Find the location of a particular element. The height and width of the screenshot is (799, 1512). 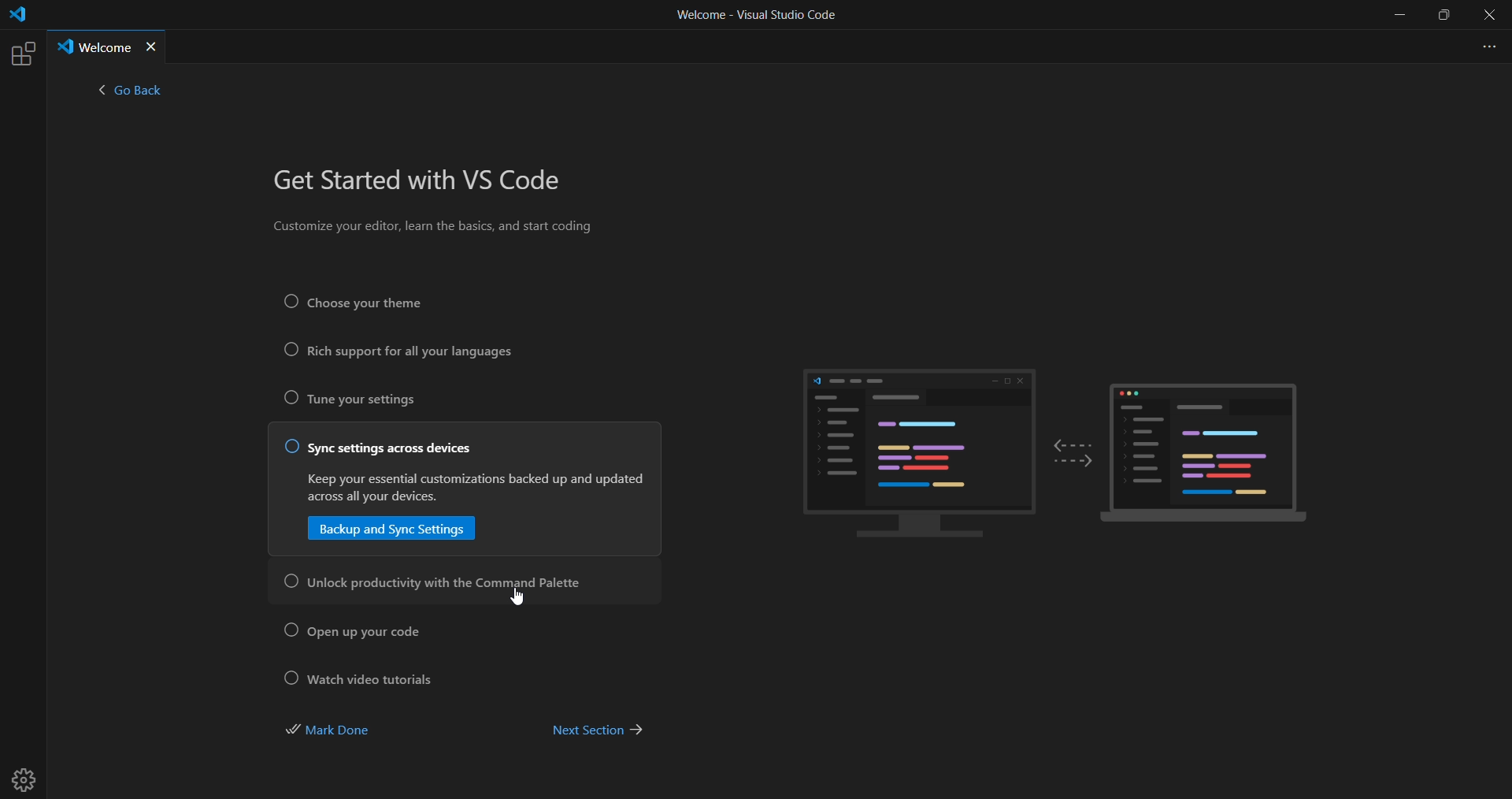

minimize is located at coordinates (1398, 15).